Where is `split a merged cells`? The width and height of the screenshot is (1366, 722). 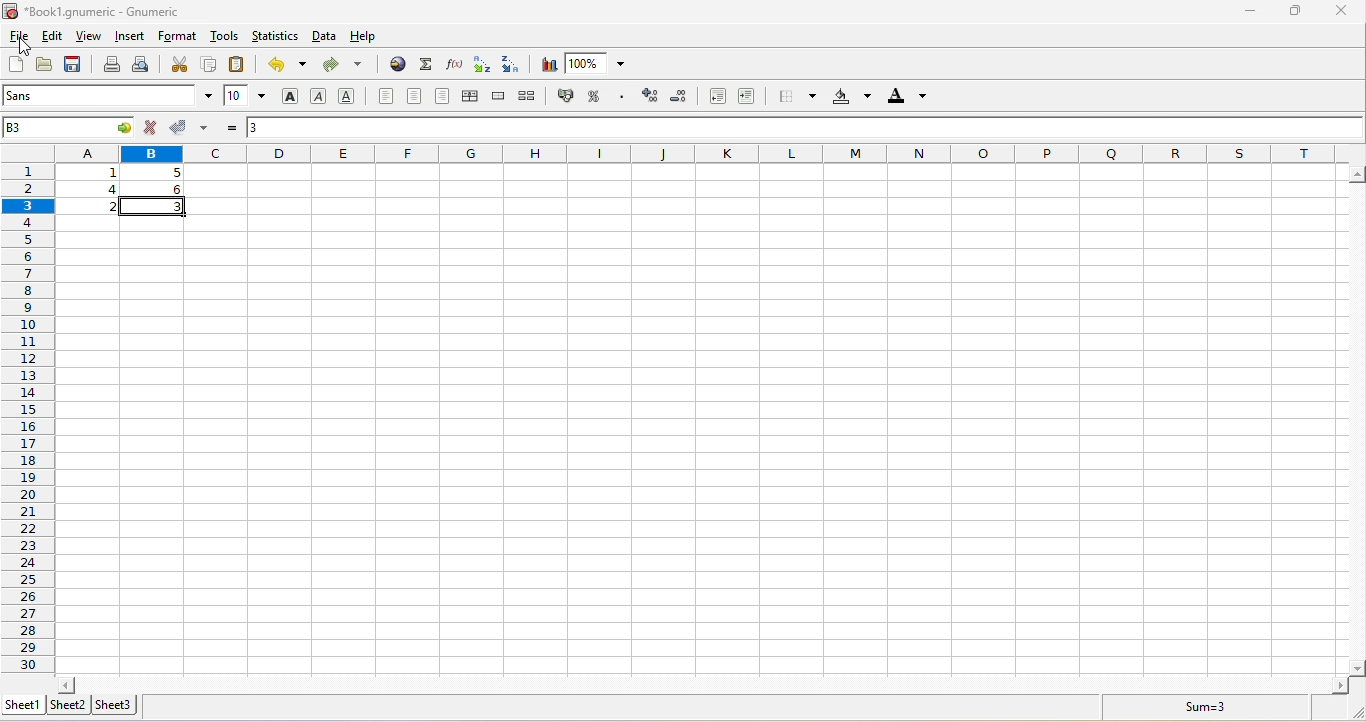
split a merged cells is located at coordinates (532, 98).